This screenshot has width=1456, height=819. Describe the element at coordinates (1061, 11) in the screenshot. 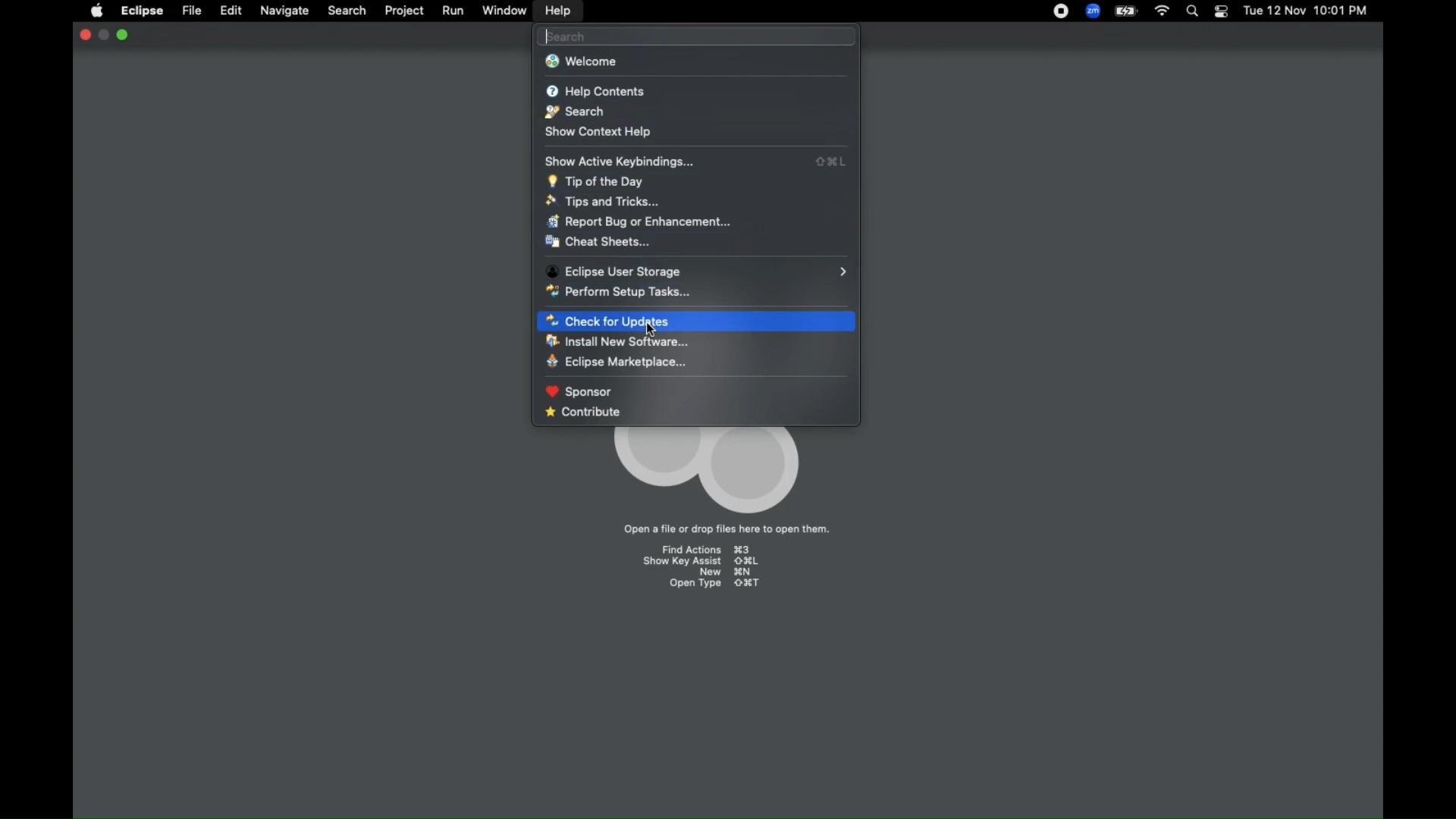

I see `Recording` at that location.